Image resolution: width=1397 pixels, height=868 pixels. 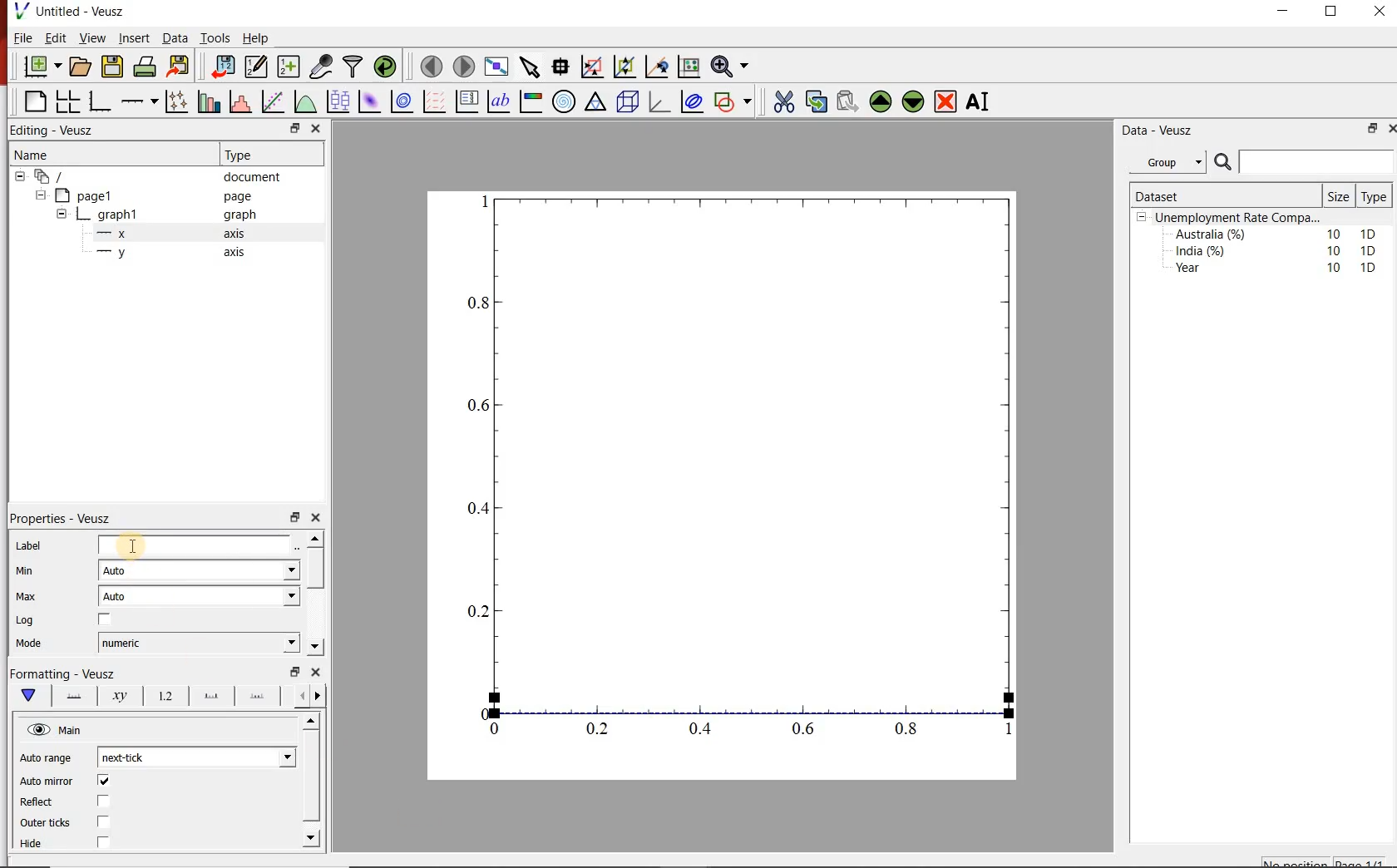 What do you see at coordinates (31, 622) in the screenshot?
I see `Log` at bounding box center [31, 622].